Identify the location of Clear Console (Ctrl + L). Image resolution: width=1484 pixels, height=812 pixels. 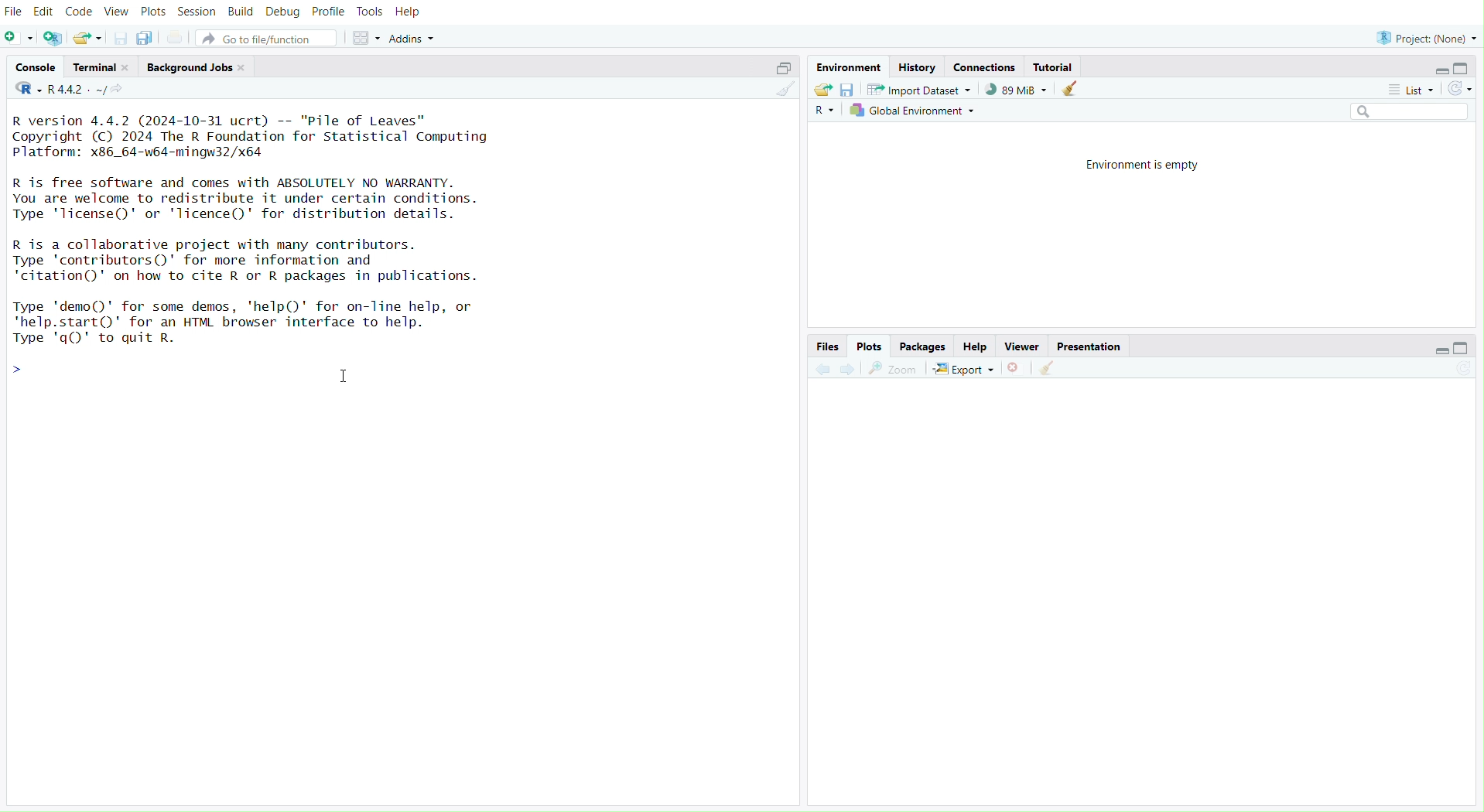
(1050, 366).